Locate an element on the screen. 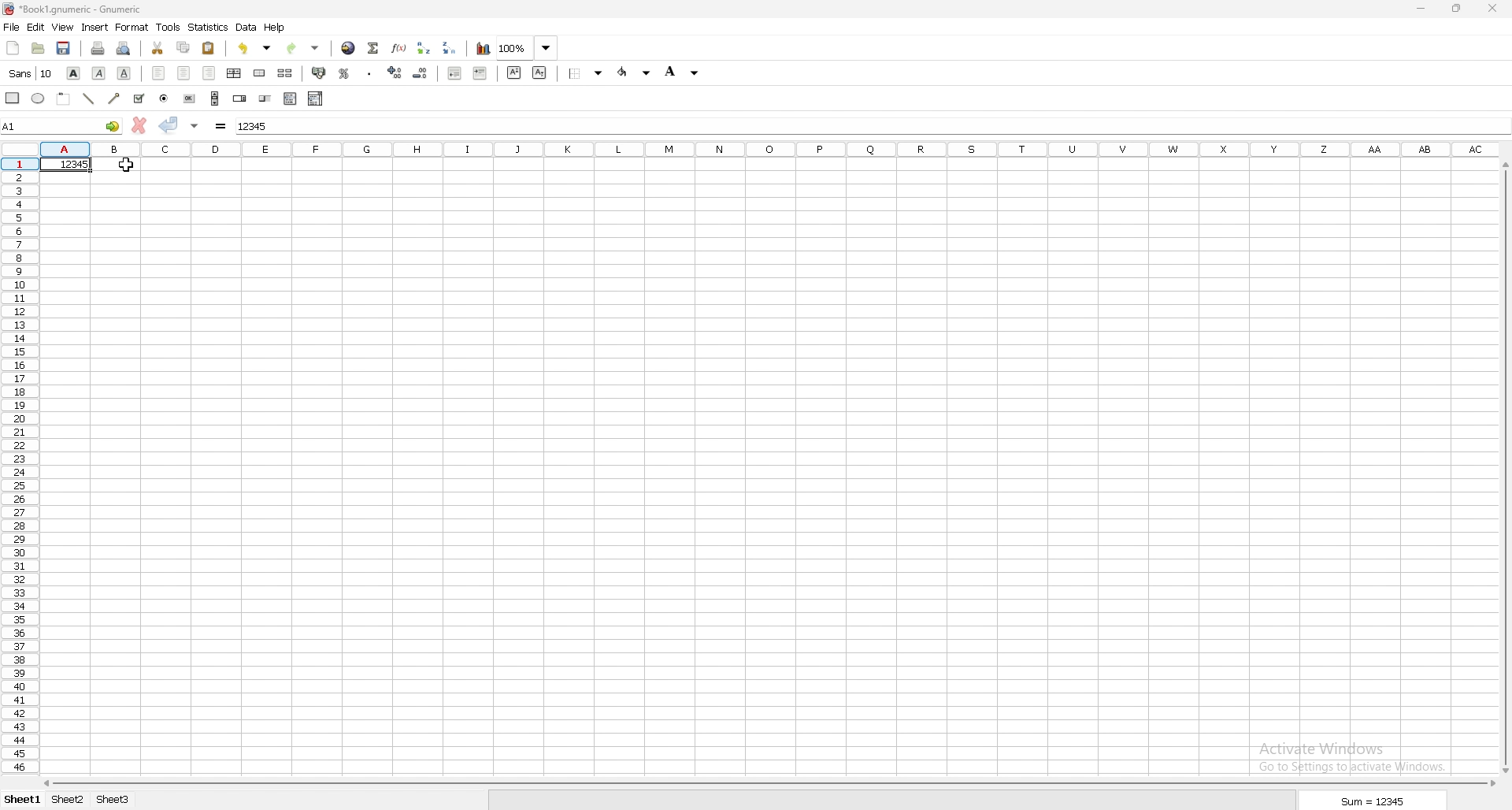 Image resolution: width=1512 pixels, height=810 pixels. radio button is located at coordinates (164, 98).